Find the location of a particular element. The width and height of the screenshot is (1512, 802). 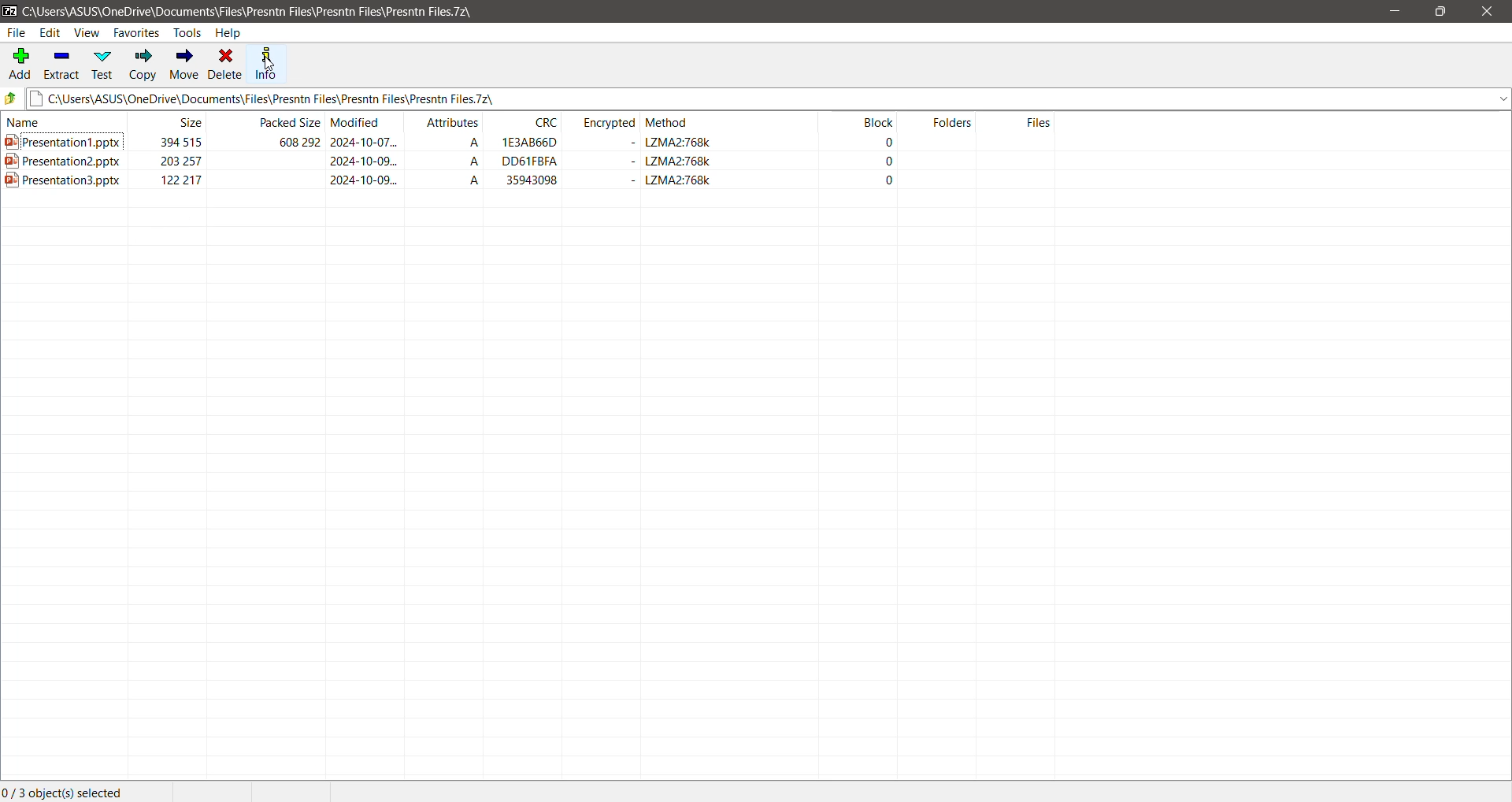

atributes is located at coordinates (443, 122).